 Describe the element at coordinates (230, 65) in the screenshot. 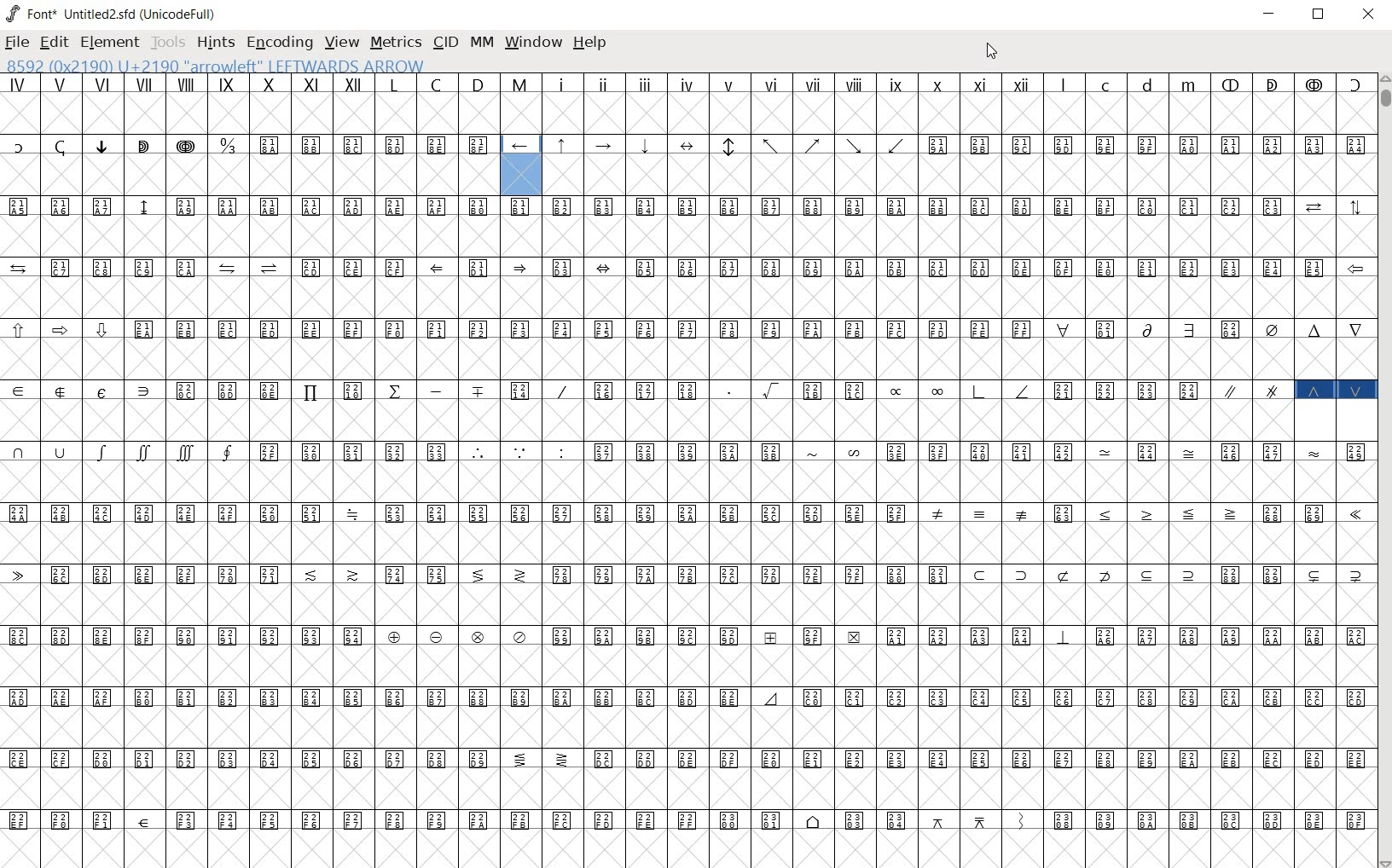

I see `glyph name` at that location.